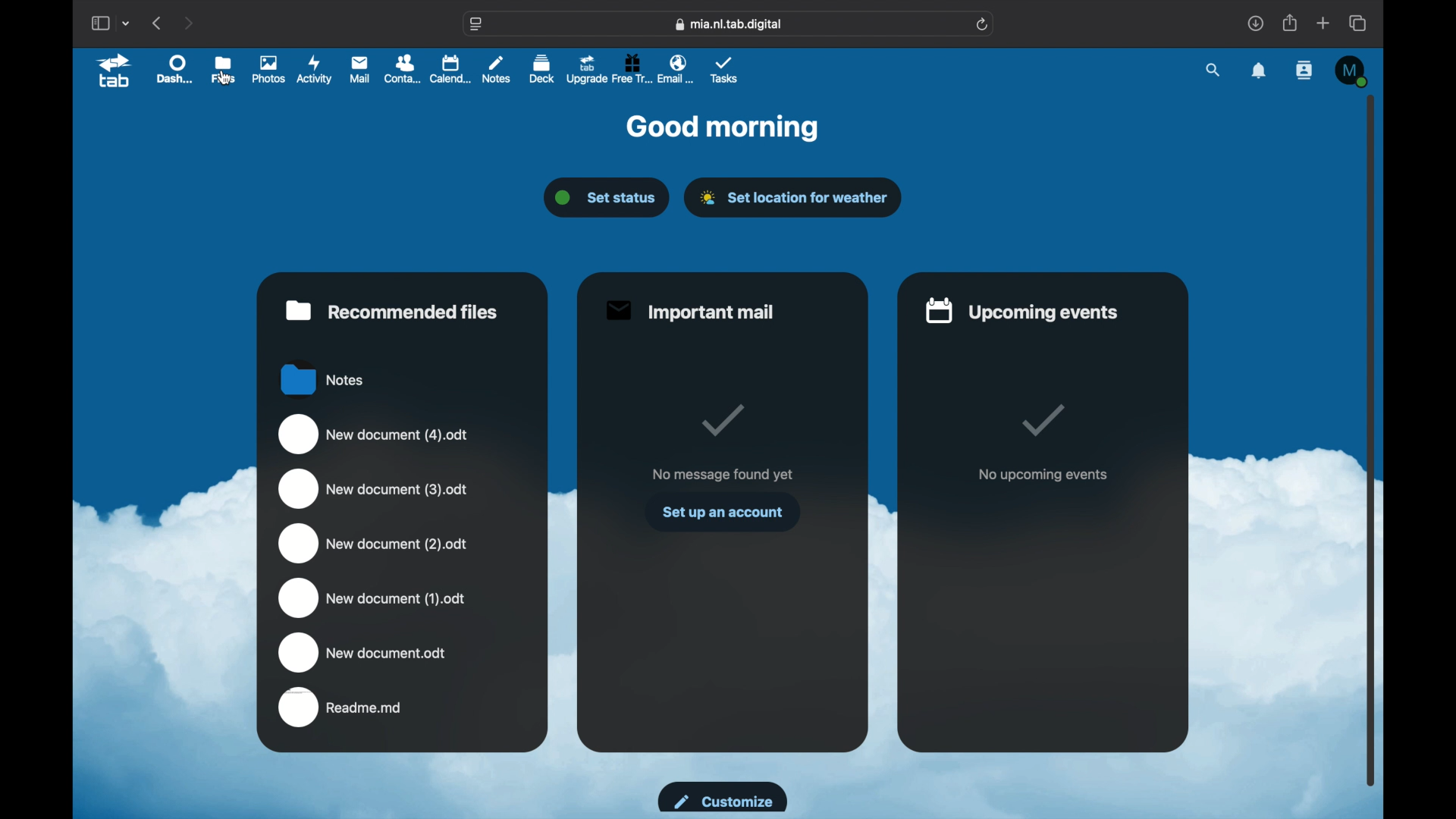 Image resolution: width=1456 pixels, height=819 pixels. I want to click on calendar, so click(451, 69).